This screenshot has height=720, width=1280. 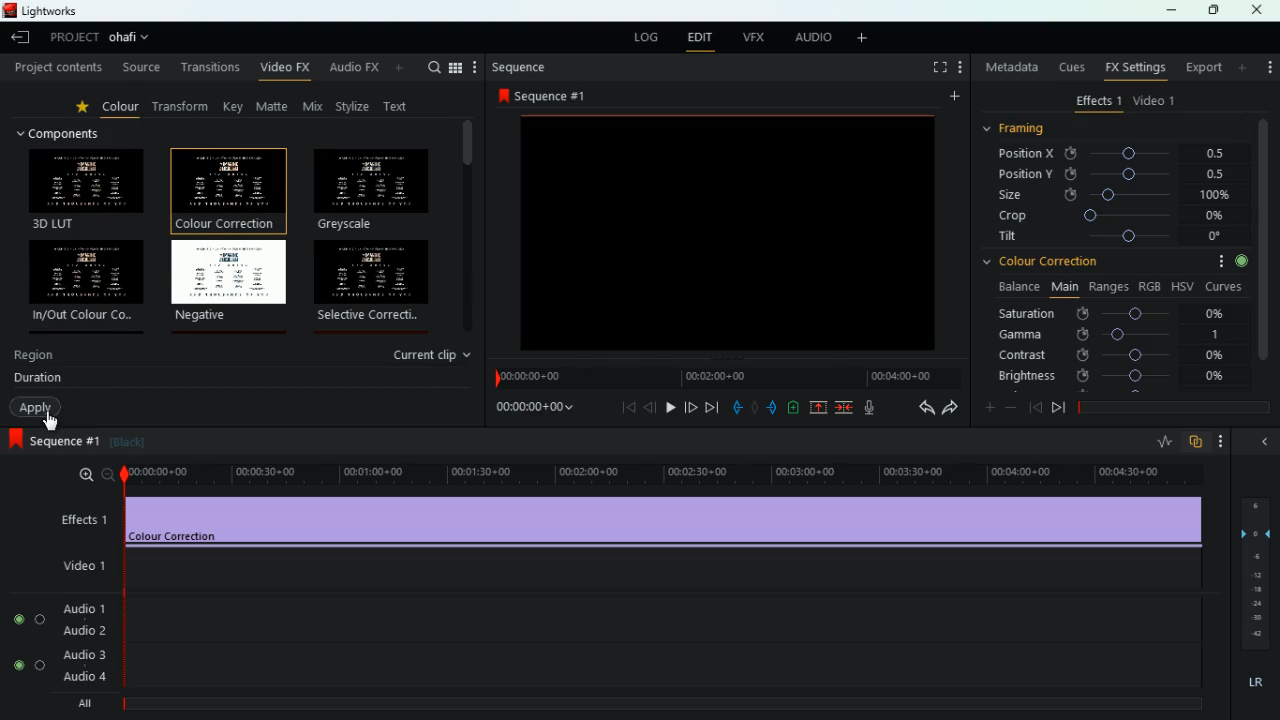 What do you see at coordinates (1116, 355) in the screenshot?
I see `contrast` at bounding box center [1116, 355].